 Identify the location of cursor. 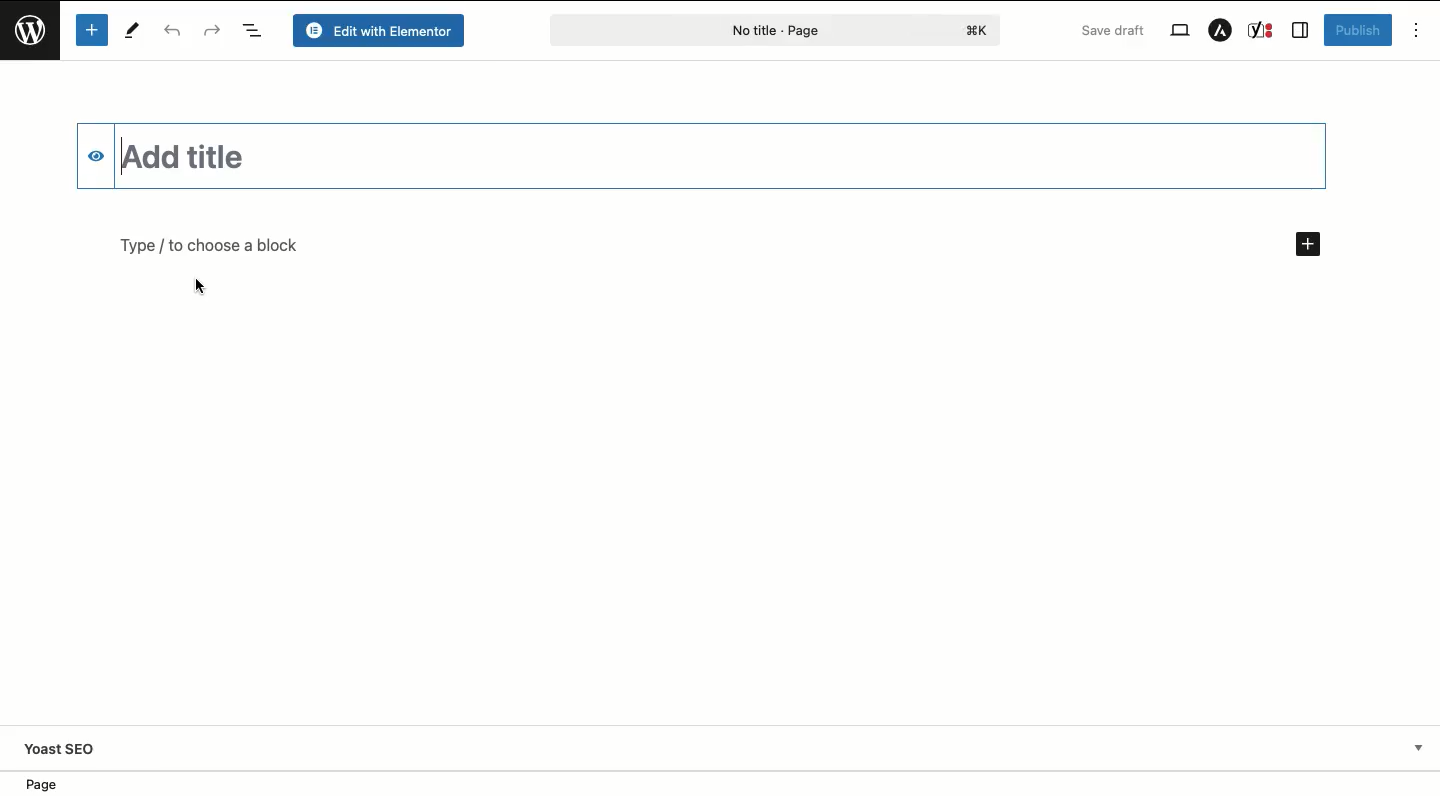
(198, 287).